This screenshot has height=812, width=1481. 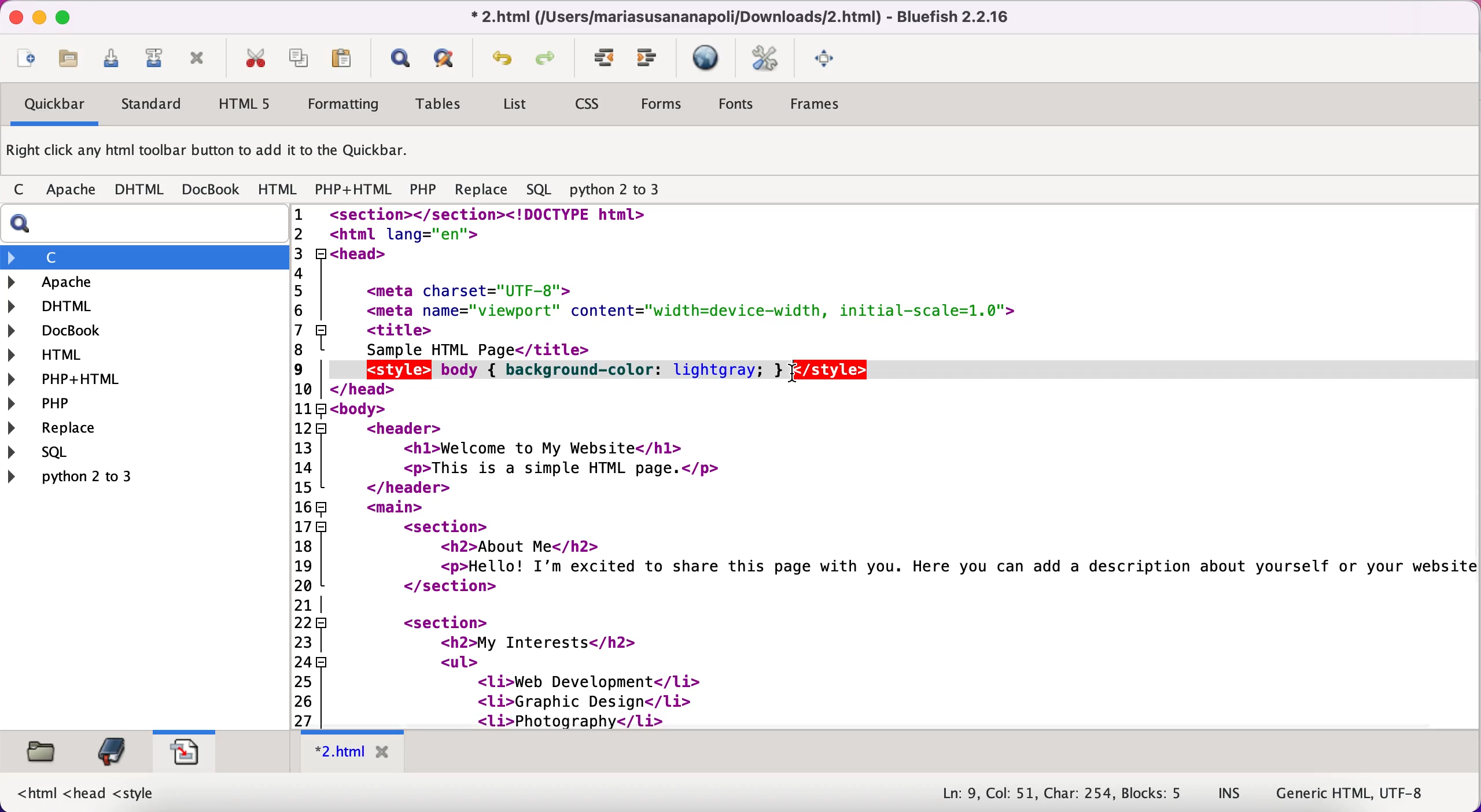 I want to click on line numbers, so click(x=309, y=466).